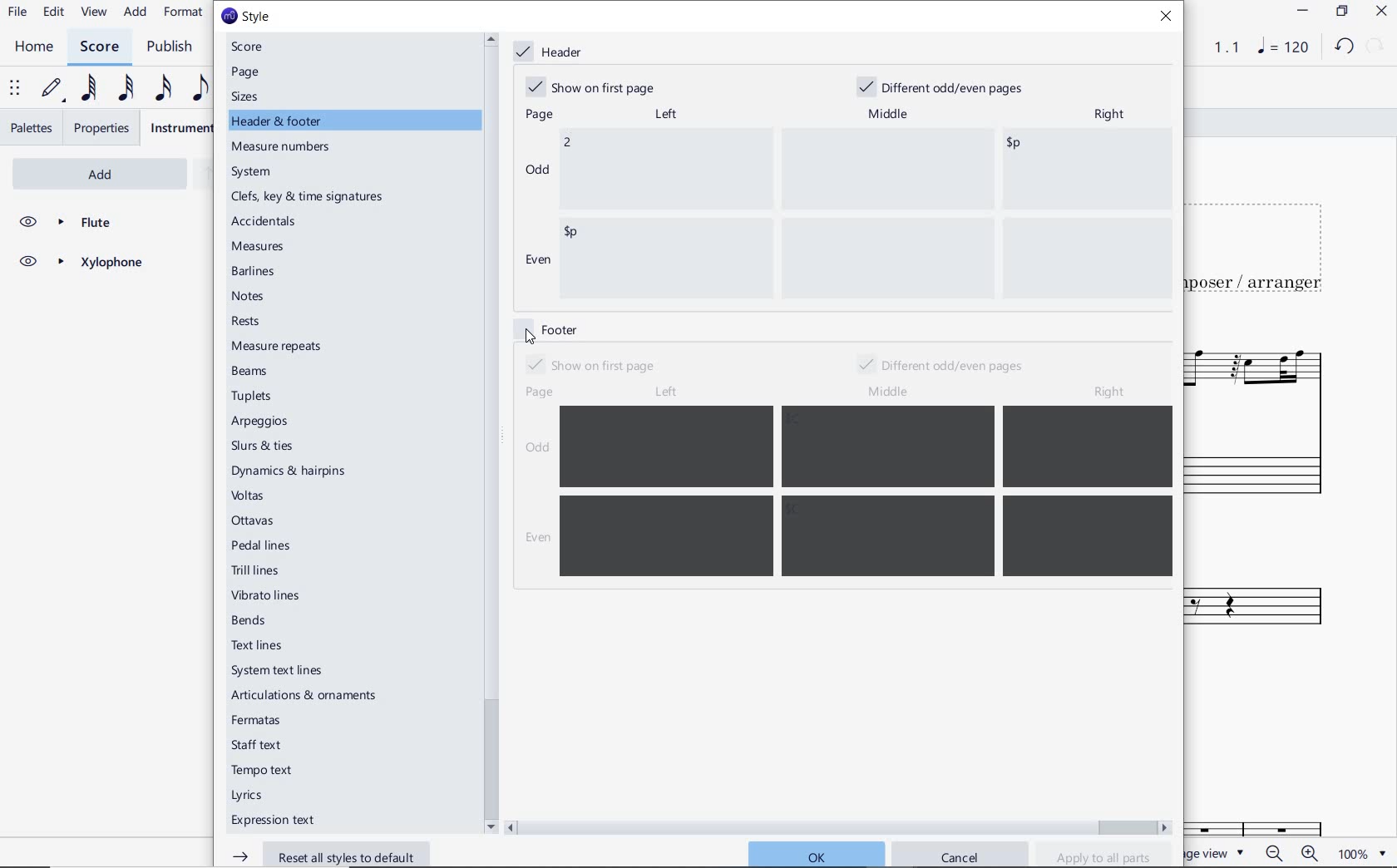 The width and height of the screenshot is (1397, 868). Describe the element at coordinates (258, 745) in the screenshot. I see `staff text` at that location.